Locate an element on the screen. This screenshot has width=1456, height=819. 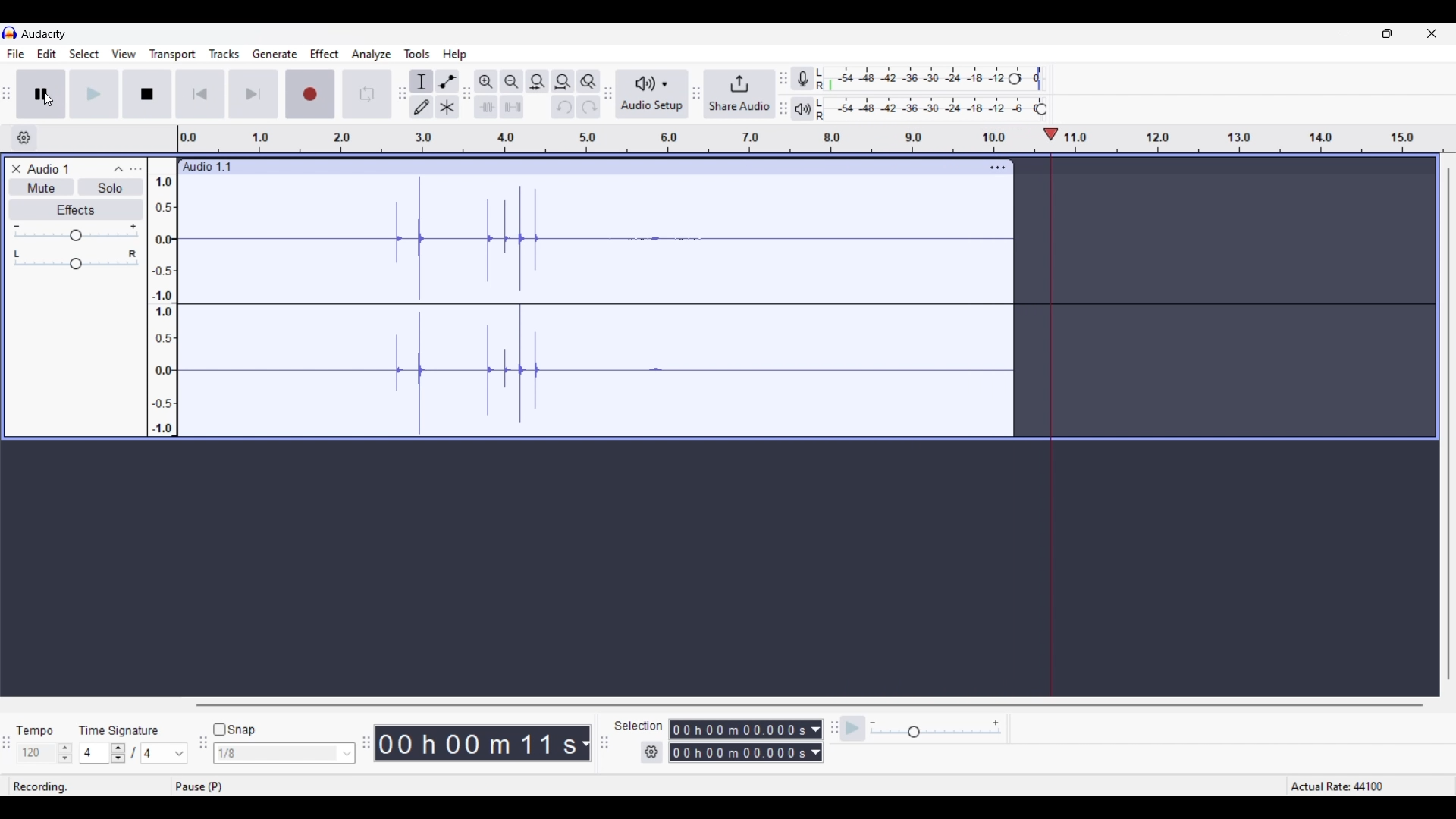
Collapse is located at coordinates (118, 169).